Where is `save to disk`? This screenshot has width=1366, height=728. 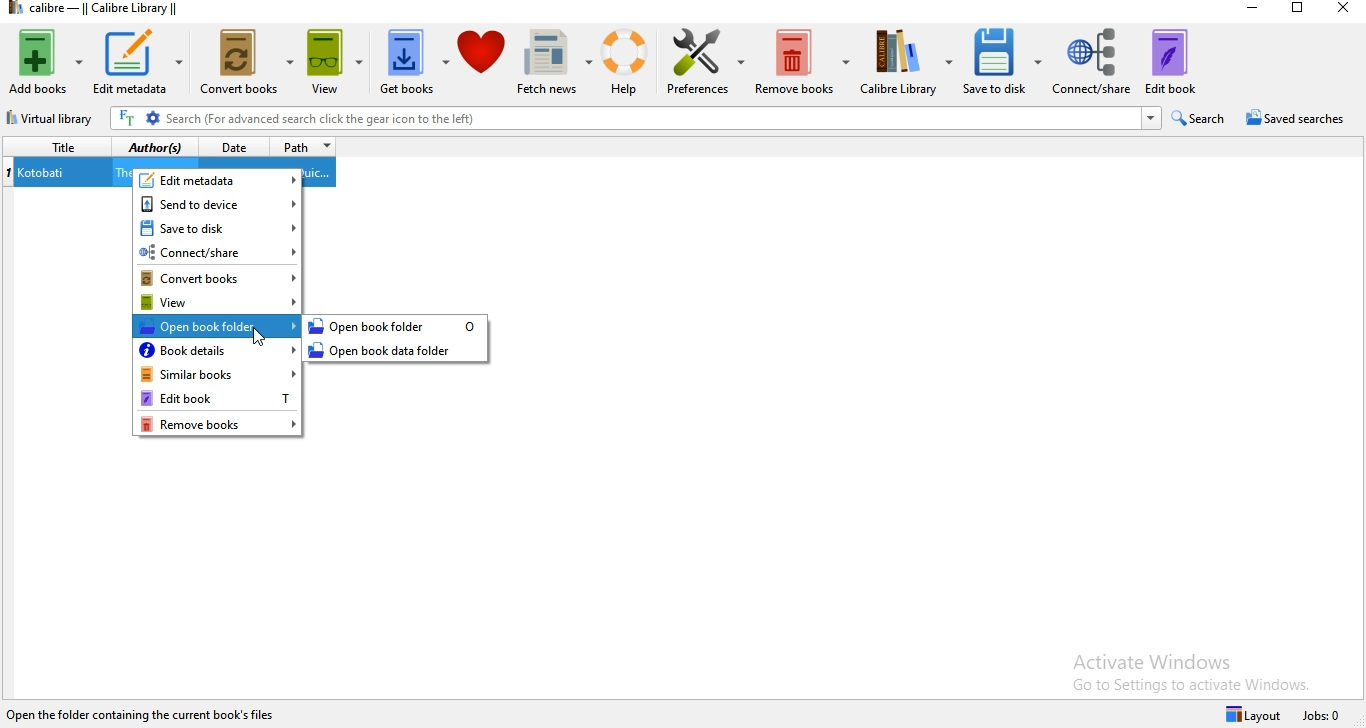 save to disk is located at coordinates (220, 229).